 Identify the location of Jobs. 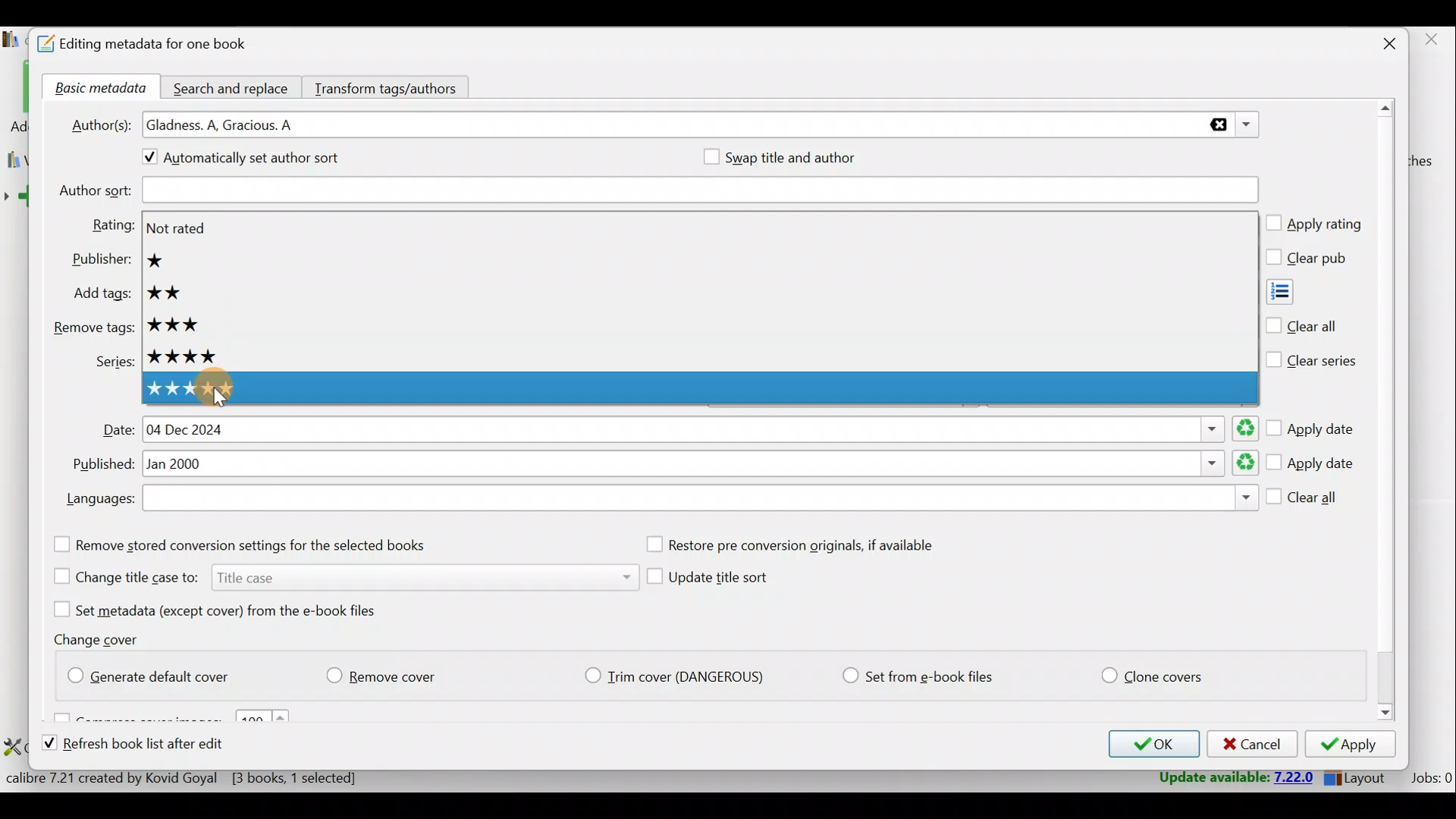
(1430, 777).